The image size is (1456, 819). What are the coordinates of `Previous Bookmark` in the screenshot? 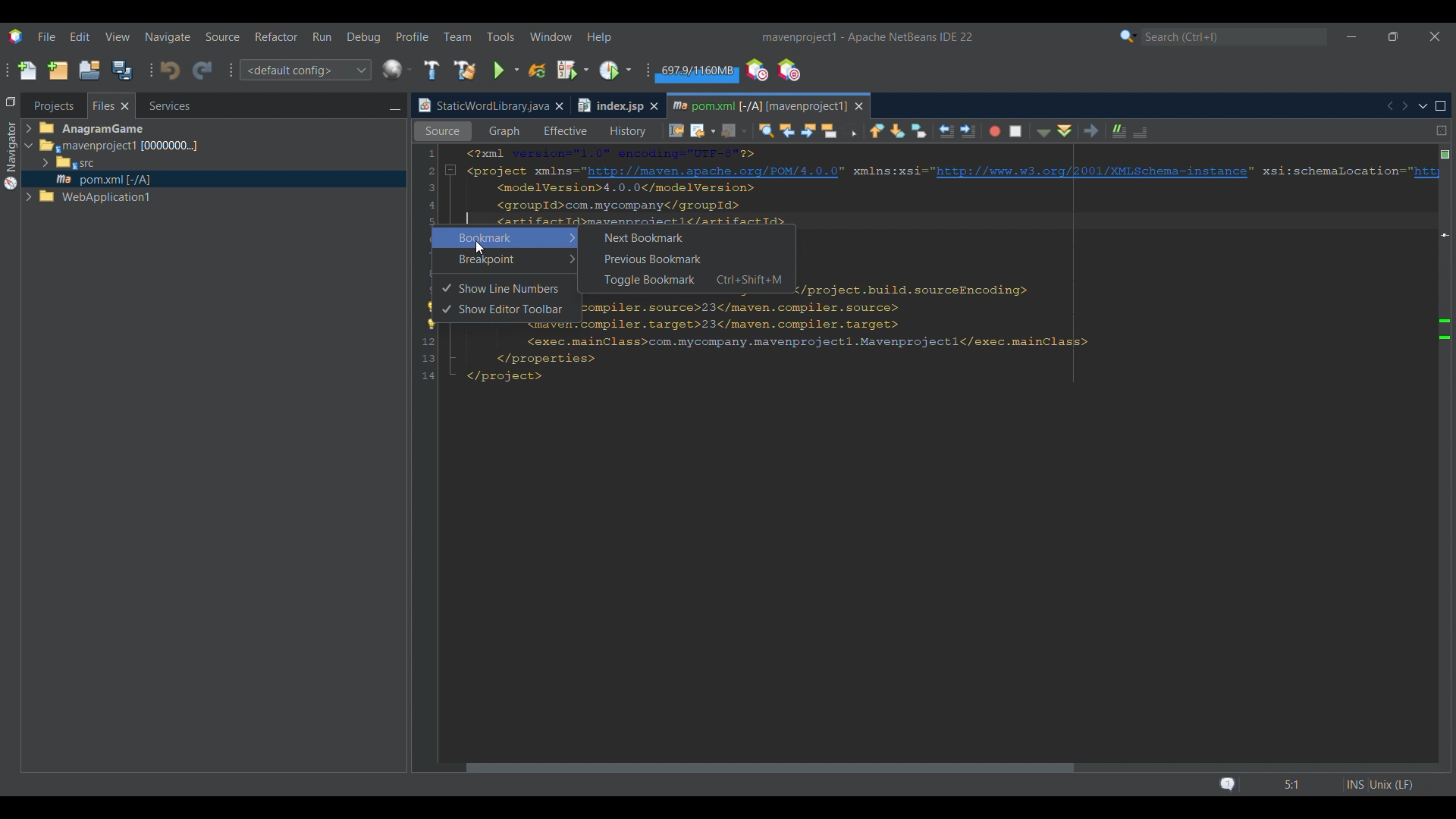 It's located at (686, 259).